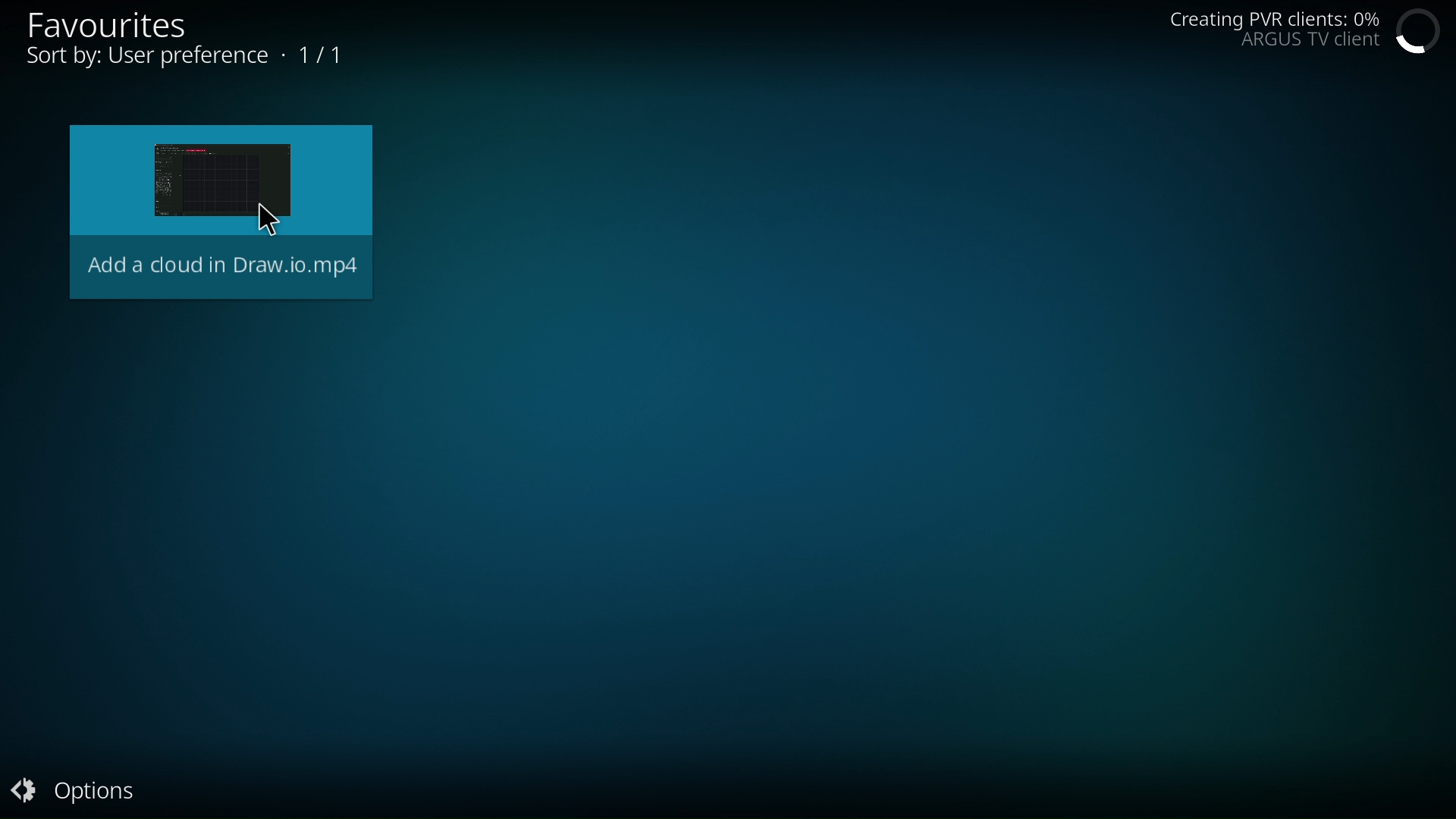 The width and height of the screenshot is (1456, 819). I want to click on cursor, so click(278, 216).